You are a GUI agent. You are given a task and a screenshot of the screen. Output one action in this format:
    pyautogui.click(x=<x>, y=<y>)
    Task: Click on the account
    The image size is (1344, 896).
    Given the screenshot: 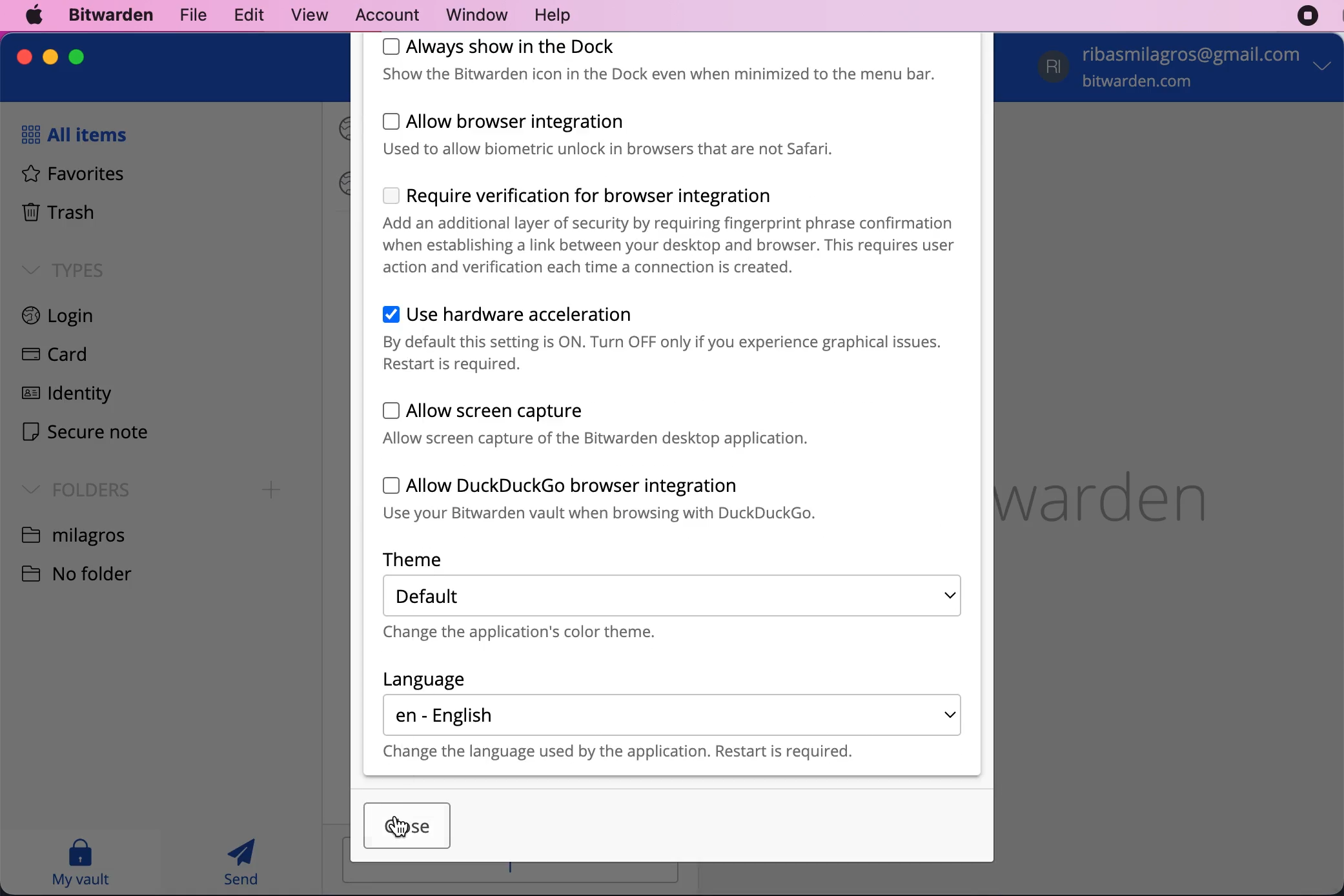 What is the action you would take?
    pyautogui.click(x=382, y=14)
    